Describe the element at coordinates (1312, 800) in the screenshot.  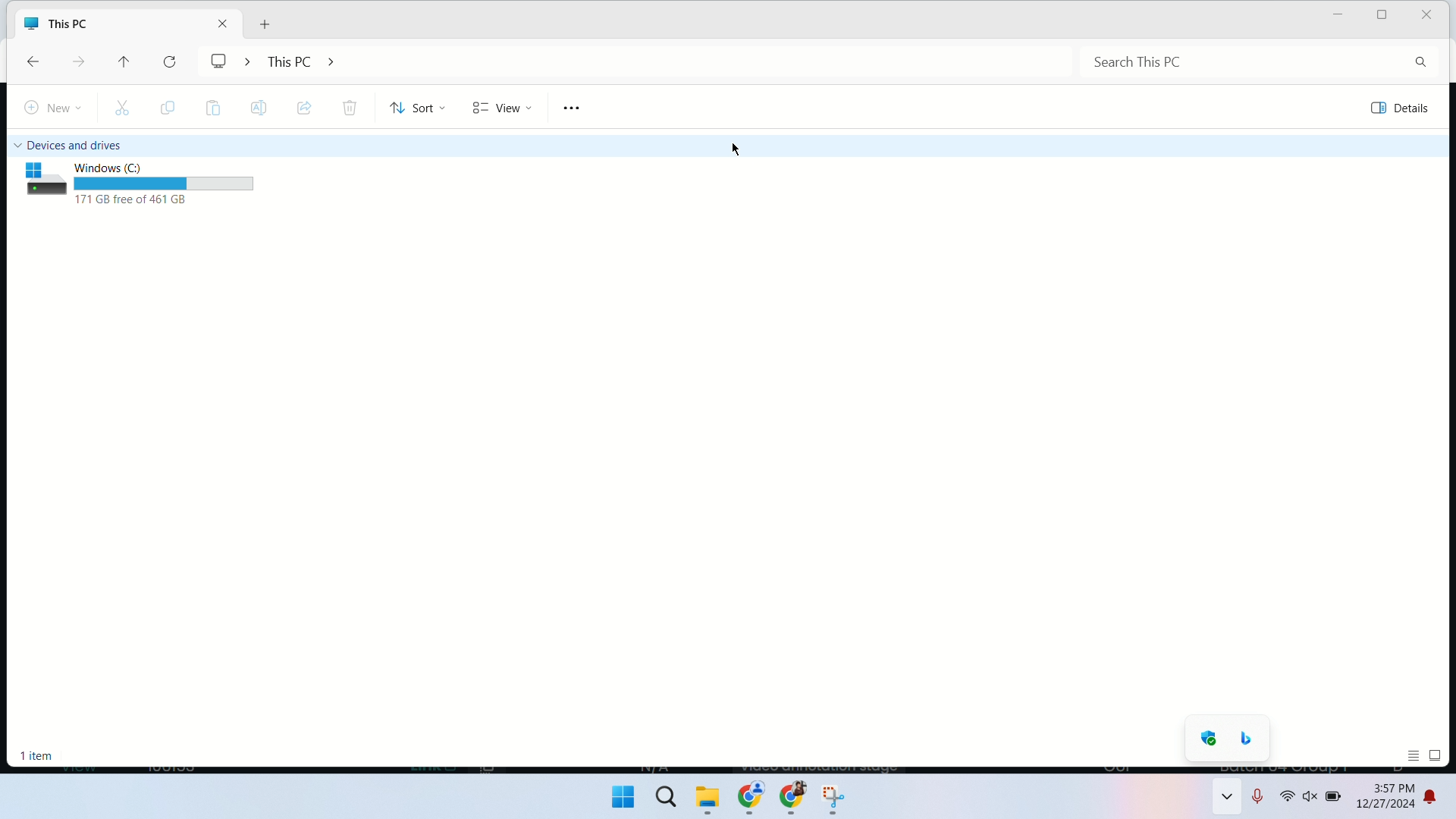
I see `volume` at that location.